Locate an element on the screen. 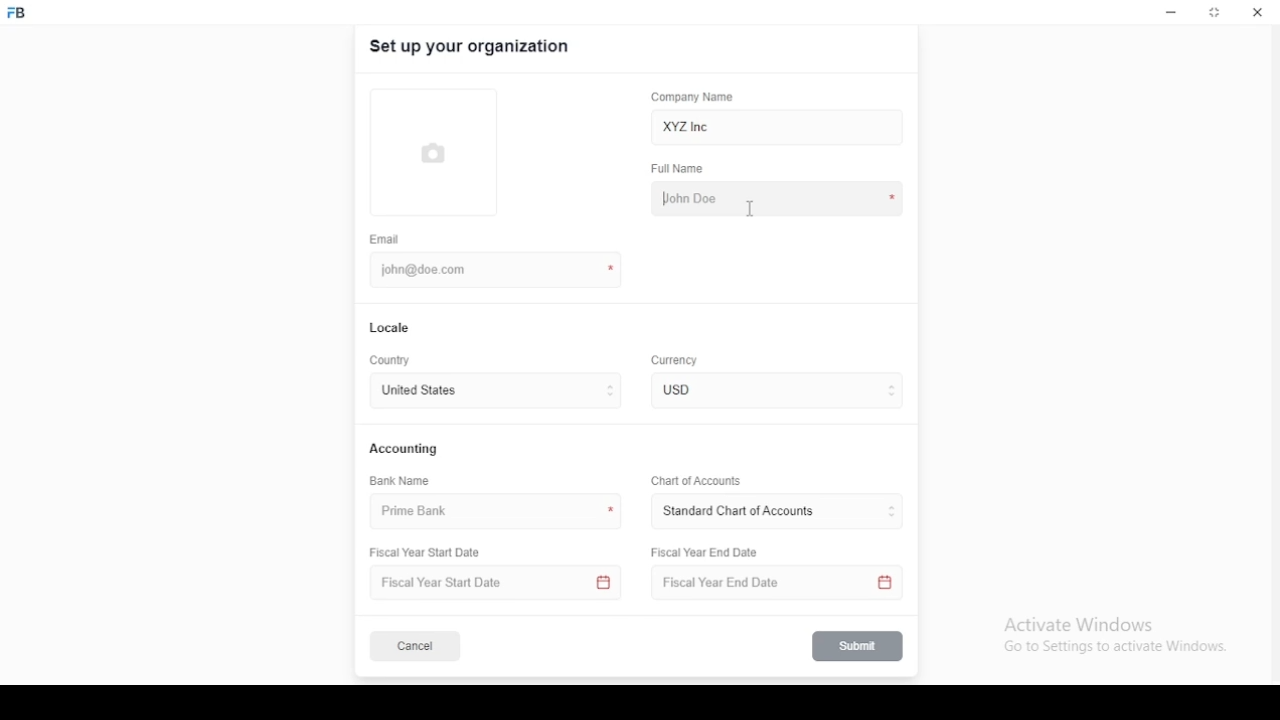  company name is located at coordinates (692, 97).